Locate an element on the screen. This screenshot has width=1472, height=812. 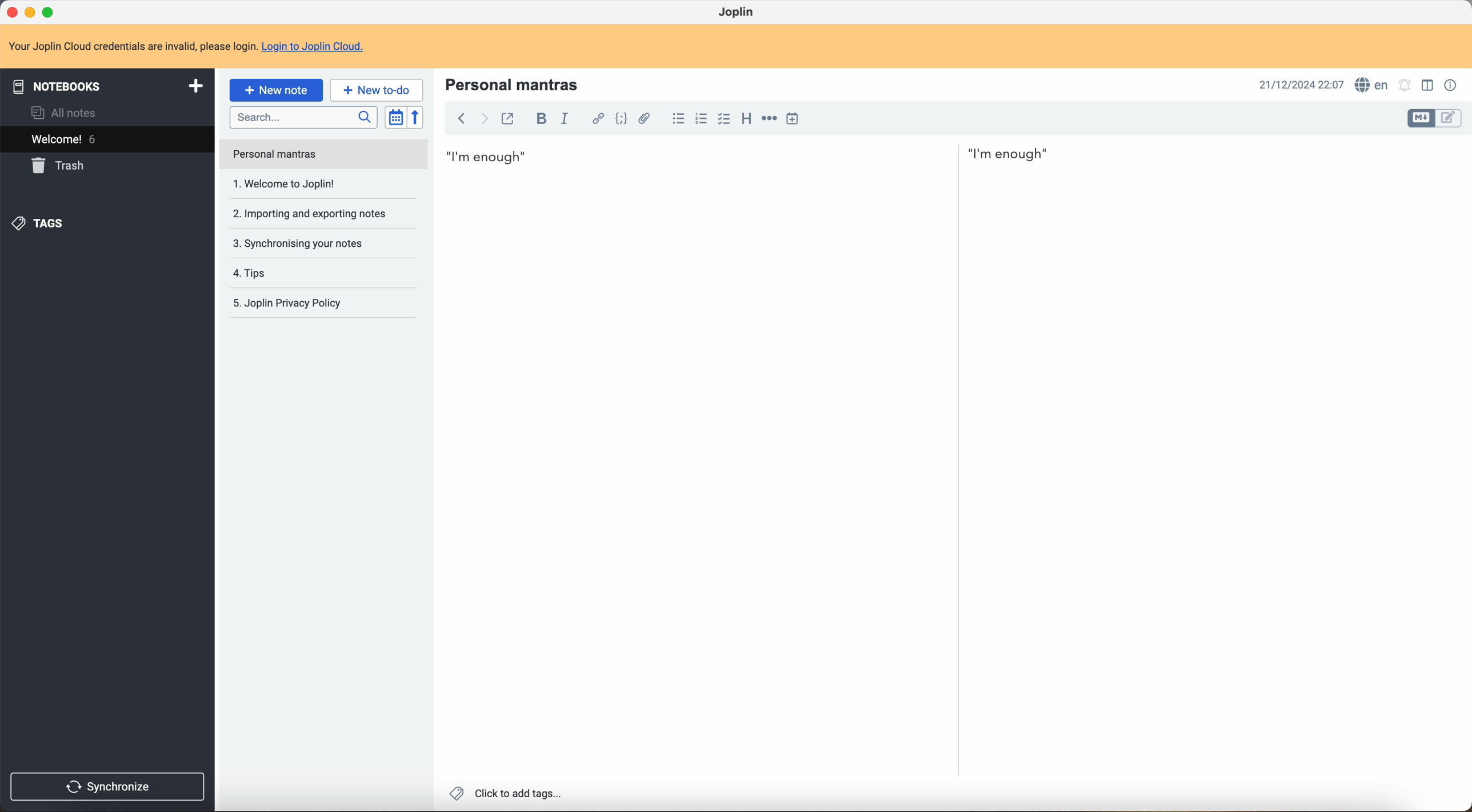
importing and exporting notes is located at coordinates (309, 183).